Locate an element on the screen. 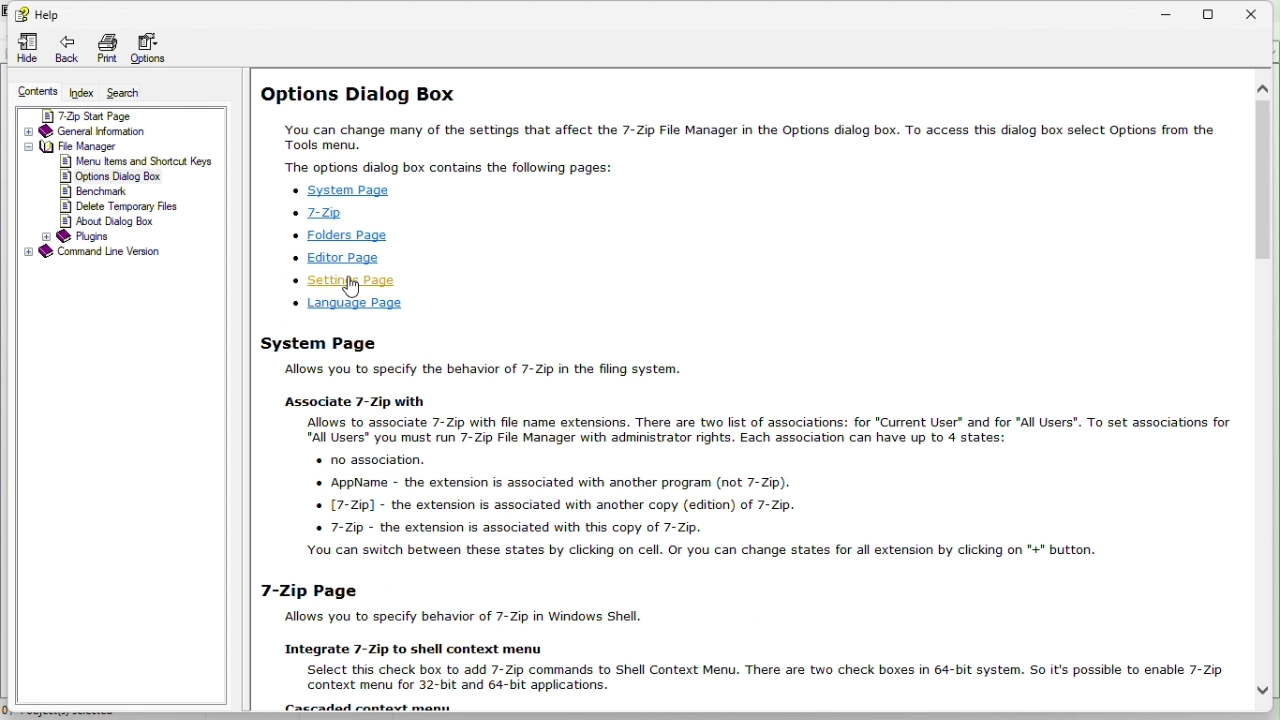  Contents is located at coordinates (29, 92).